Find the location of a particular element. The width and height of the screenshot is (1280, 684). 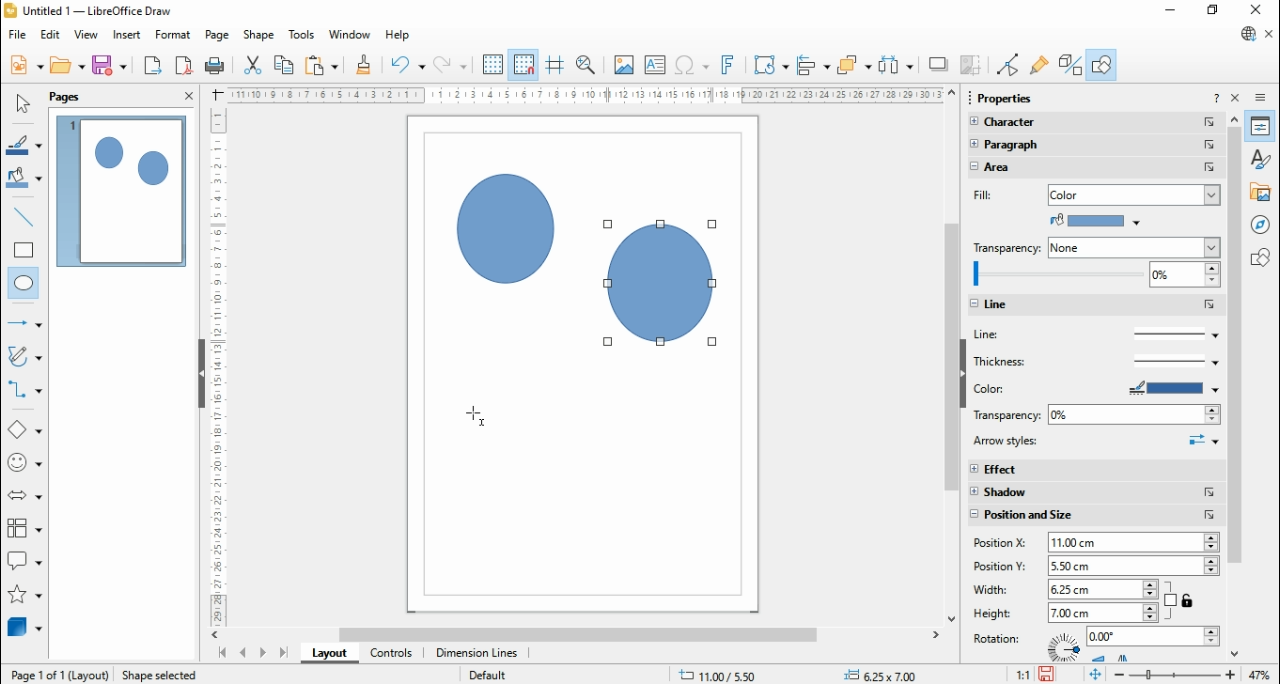

47% is located at coordinates (1262, 674).